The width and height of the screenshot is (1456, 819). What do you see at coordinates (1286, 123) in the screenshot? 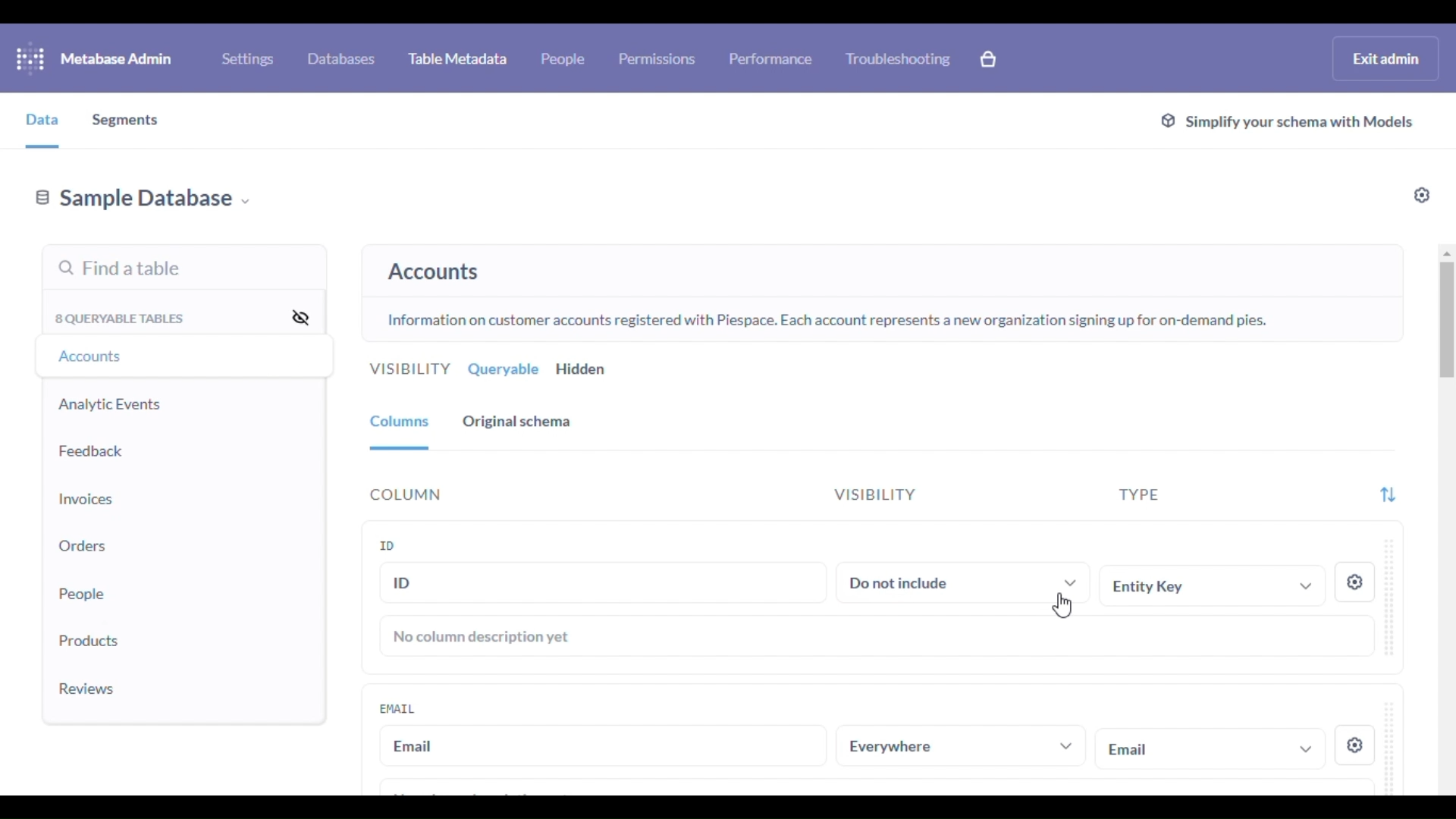
I see `simplify your schema with models` at bounding box center [1286, 123].